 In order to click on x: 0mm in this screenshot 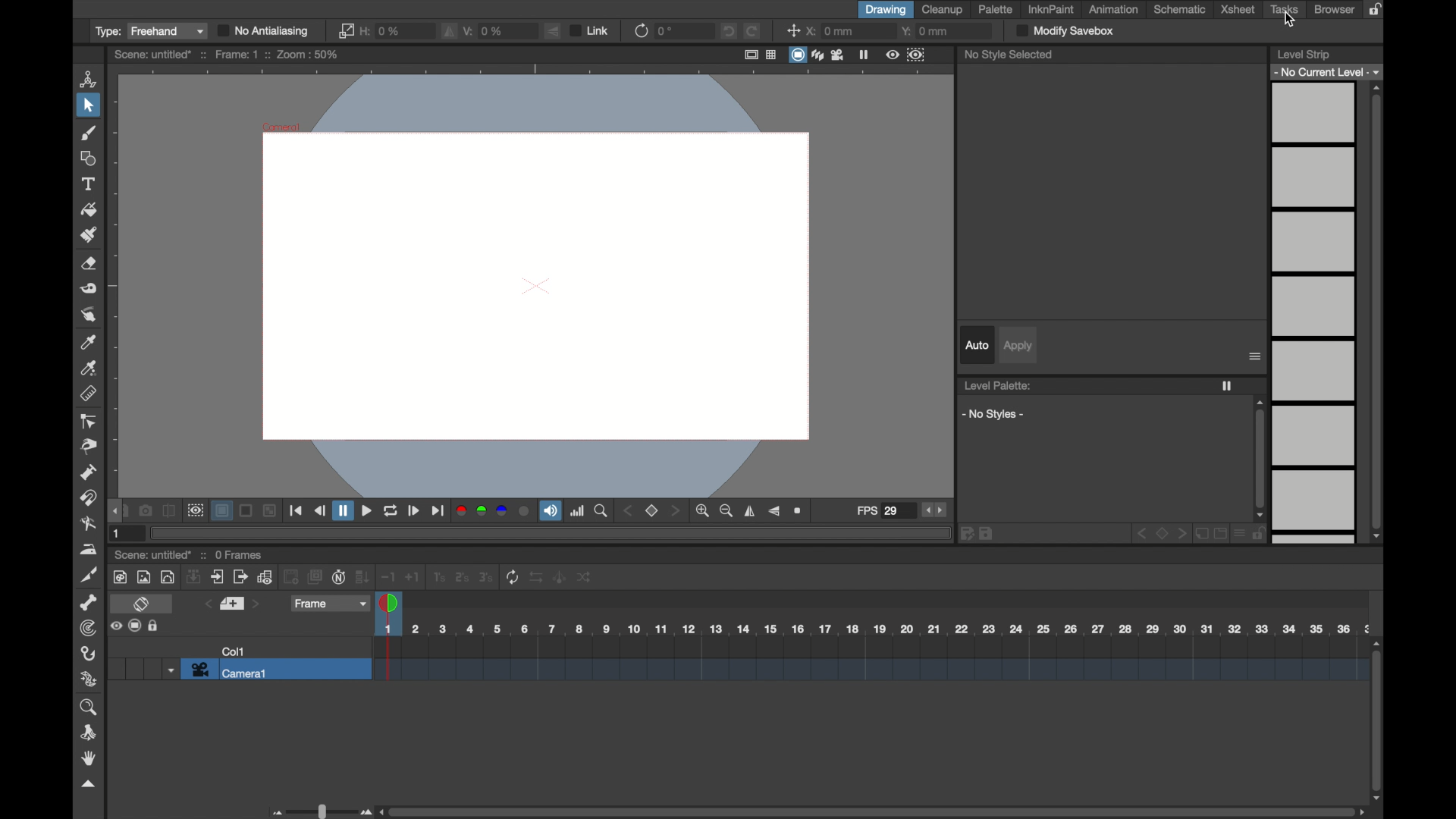, I will do `click(832, 32)`.